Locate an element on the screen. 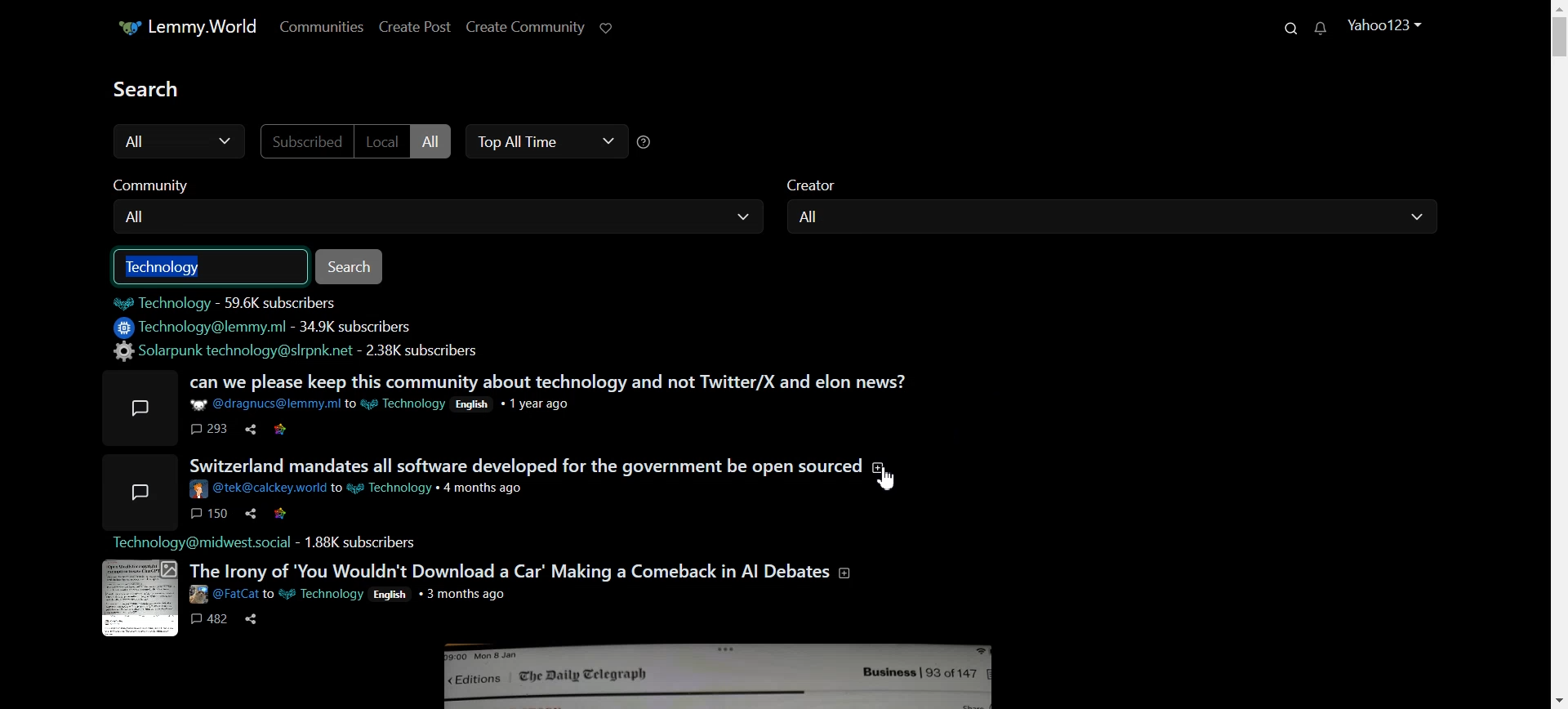  can we please keep this community about technology and not Twitter/X and elon news? is located at coordinates (552, 384).